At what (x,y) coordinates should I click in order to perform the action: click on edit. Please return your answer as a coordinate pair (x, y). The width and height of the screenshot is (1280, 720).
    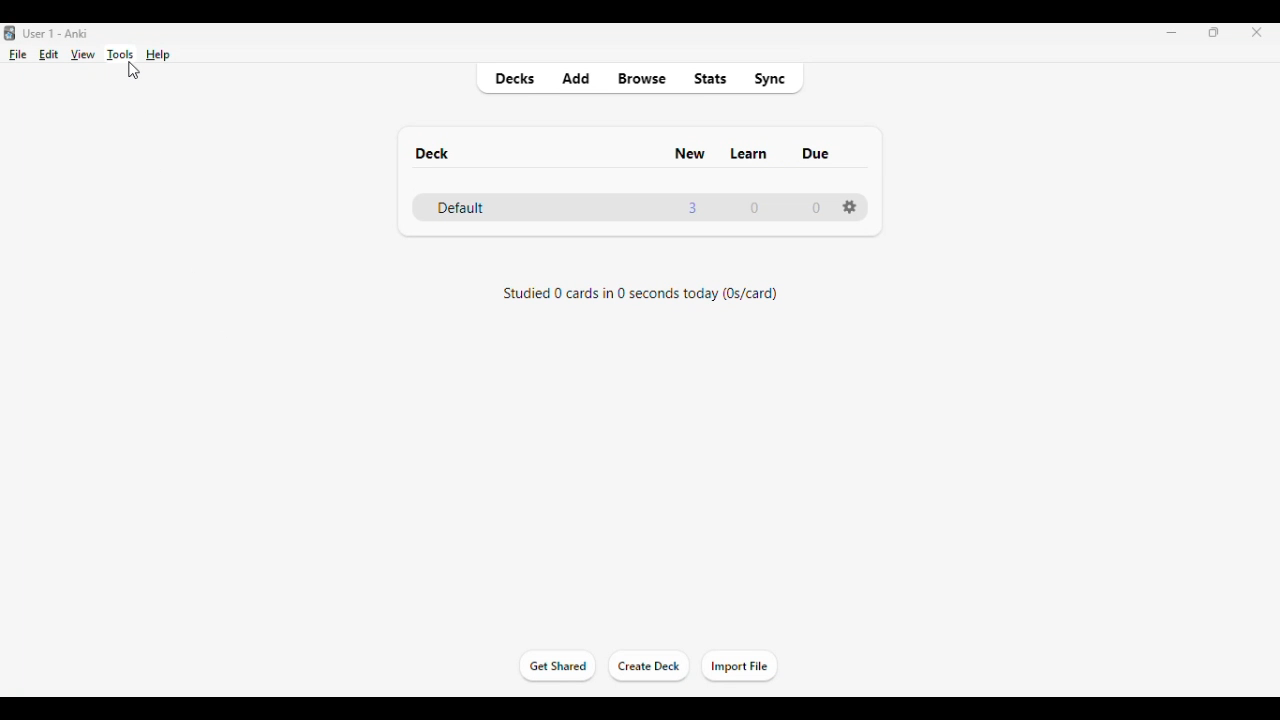
    Looking at the image, I should click on (49, 54).